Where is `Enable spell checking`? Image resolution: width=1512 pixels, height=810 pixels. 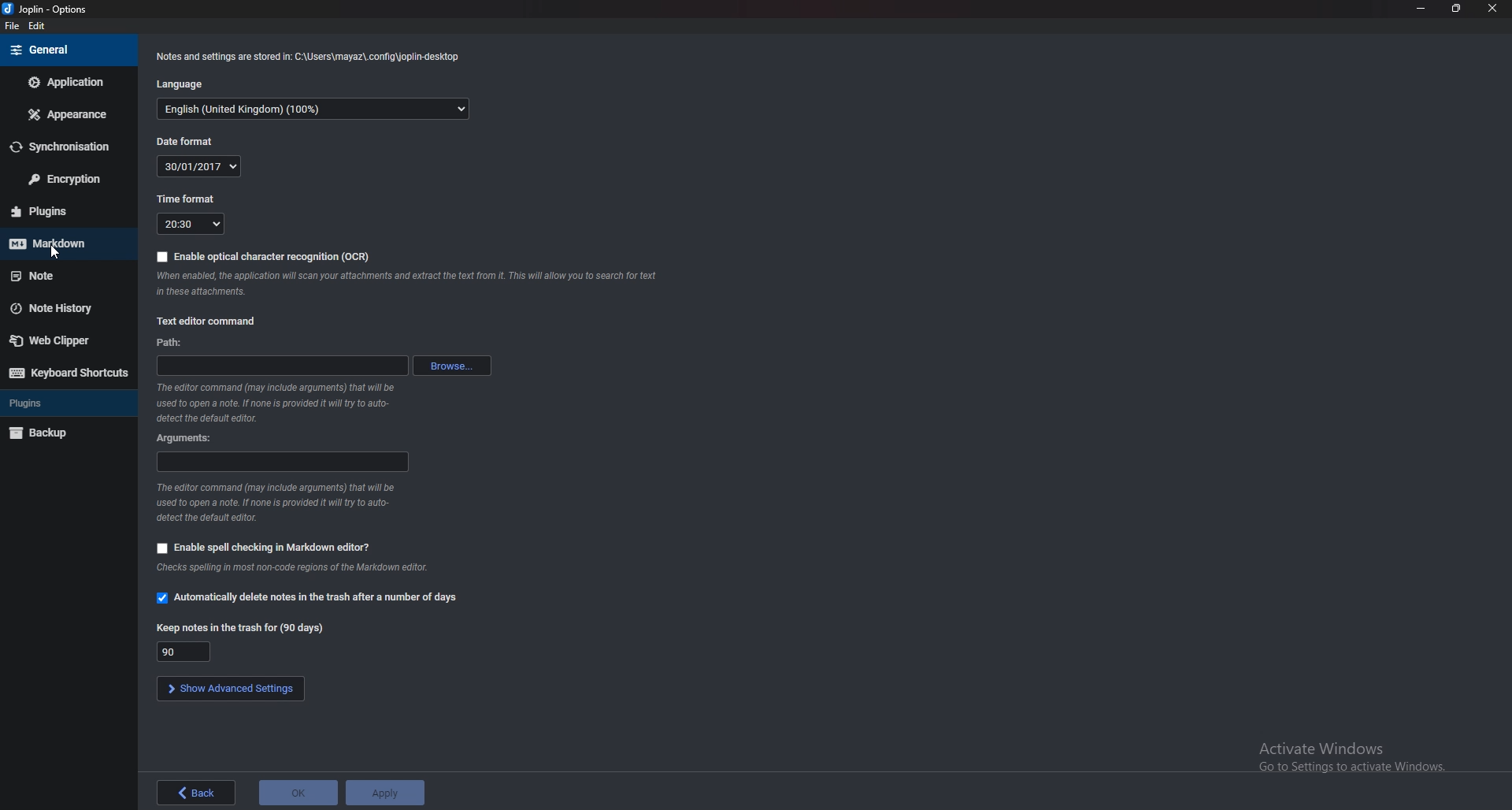
Enable spell checking is located at coordinates (265, 548).